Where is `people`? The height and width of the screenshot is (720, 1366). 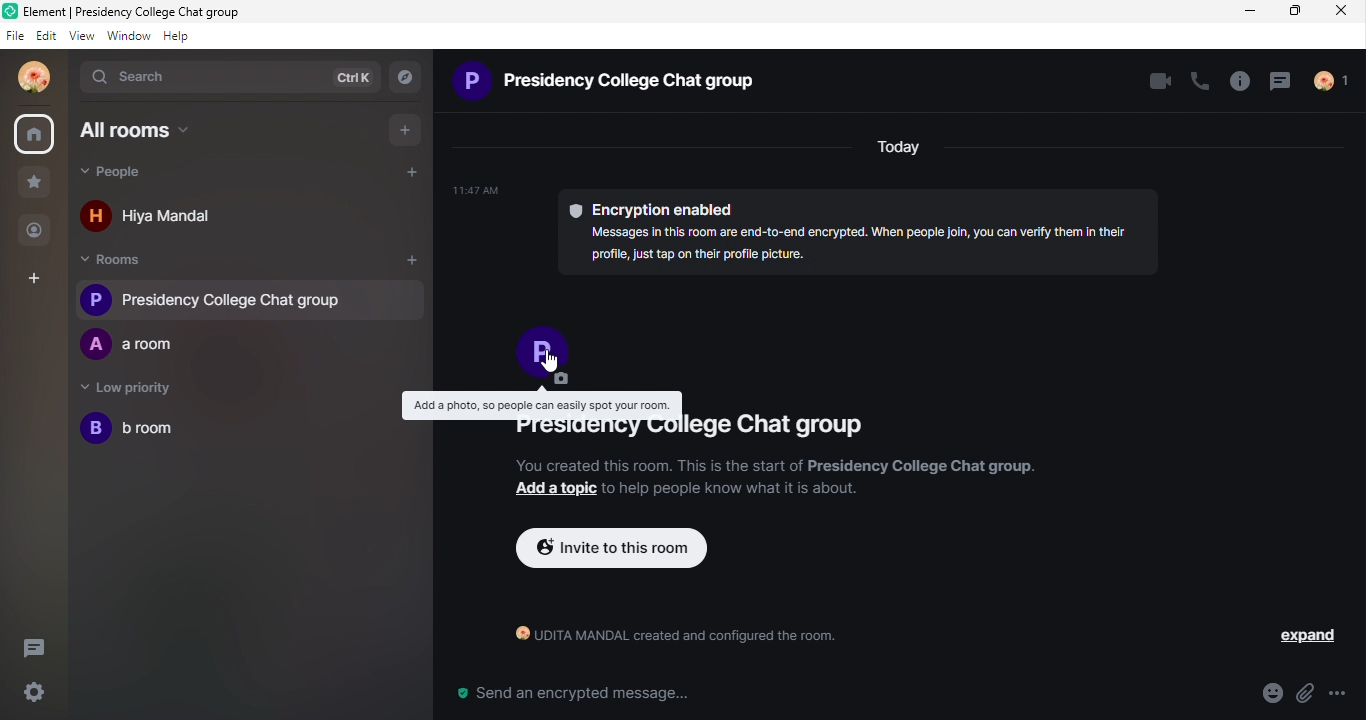 people is located at coordinates (172, 177).